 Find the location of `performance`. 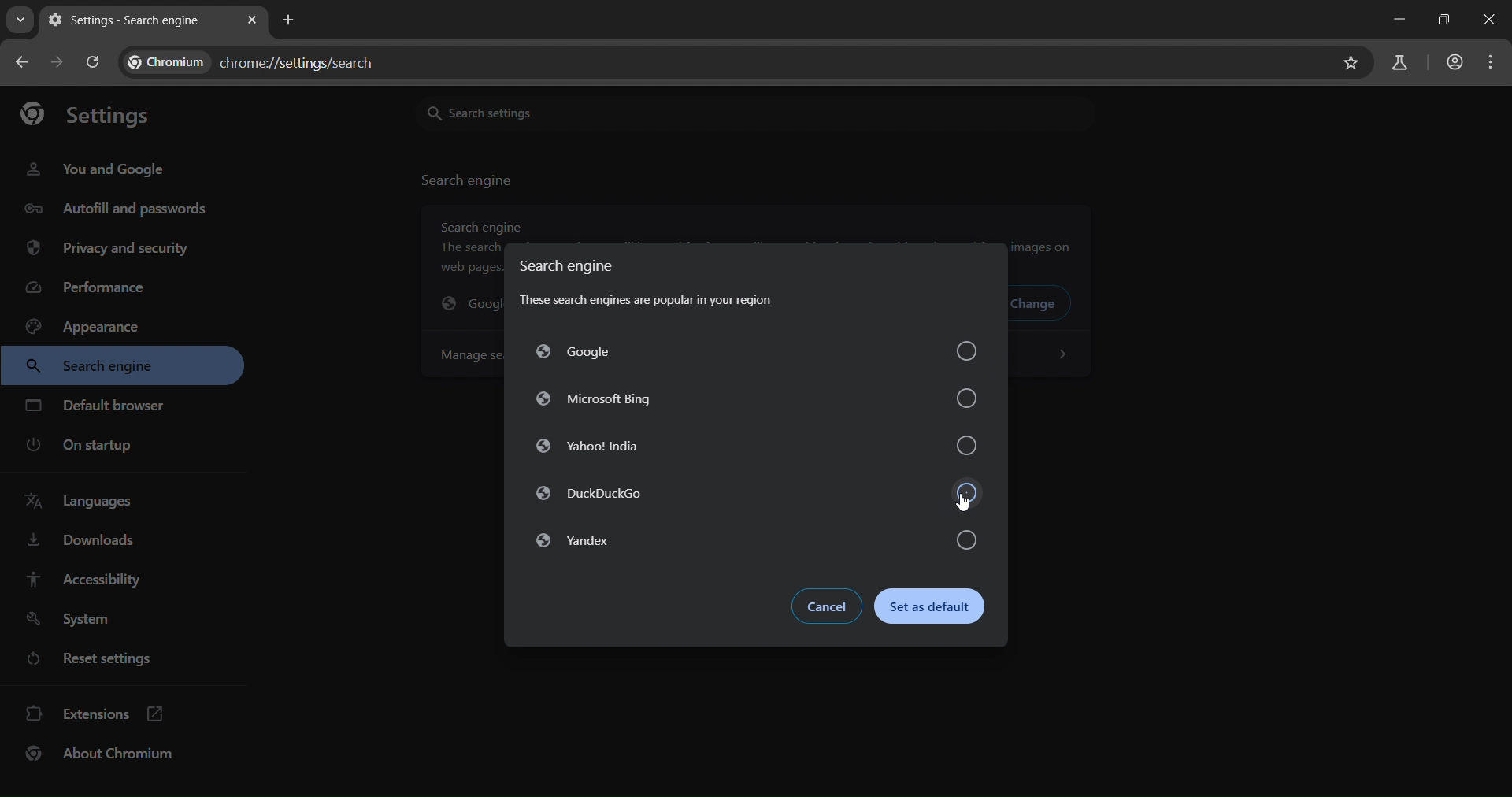

performance is located at coordinates (91, 287).